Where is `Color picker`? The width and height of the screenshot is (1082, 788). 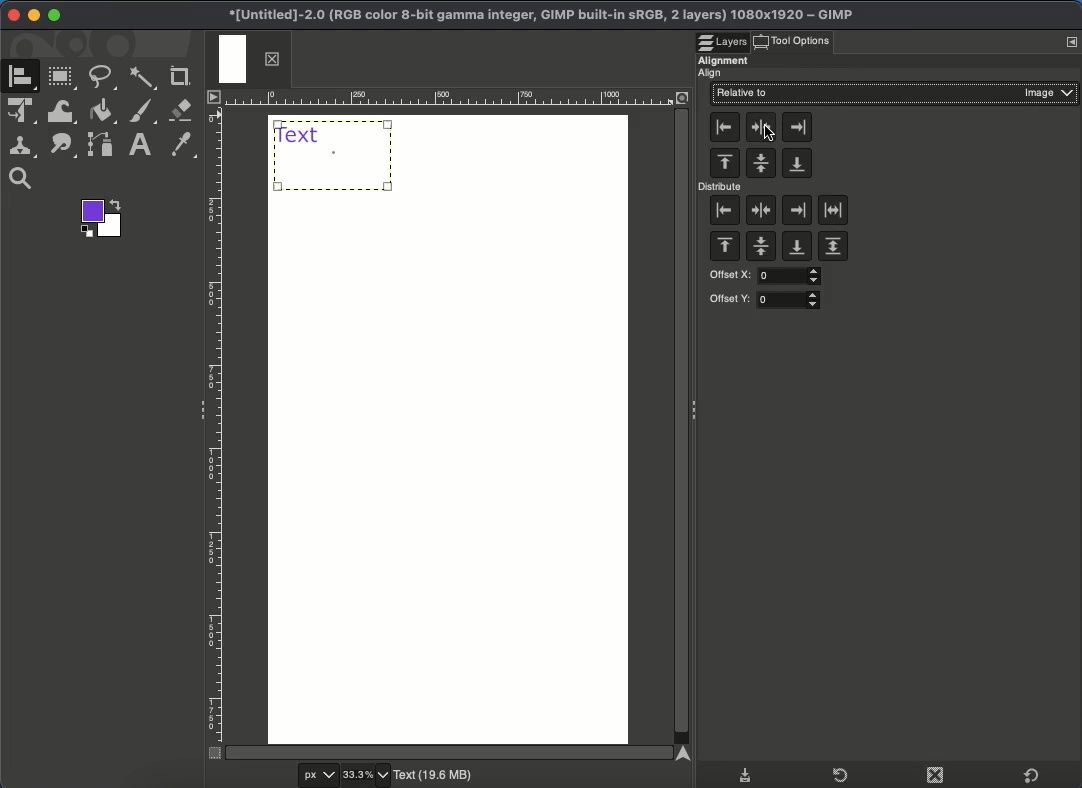 Color picker is located at coordinates (185, 146).